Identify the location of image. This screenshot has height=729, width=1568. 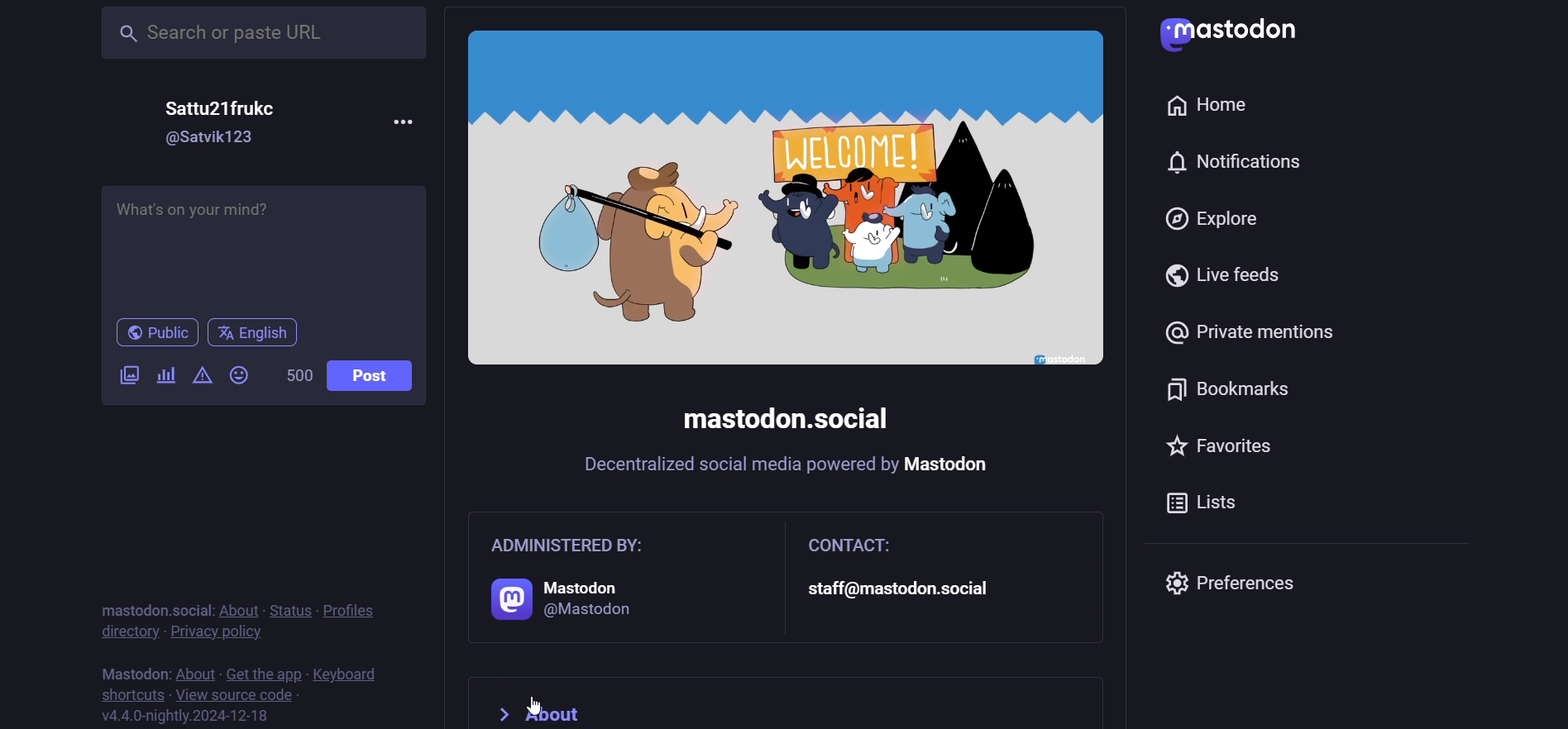
(785, 199).